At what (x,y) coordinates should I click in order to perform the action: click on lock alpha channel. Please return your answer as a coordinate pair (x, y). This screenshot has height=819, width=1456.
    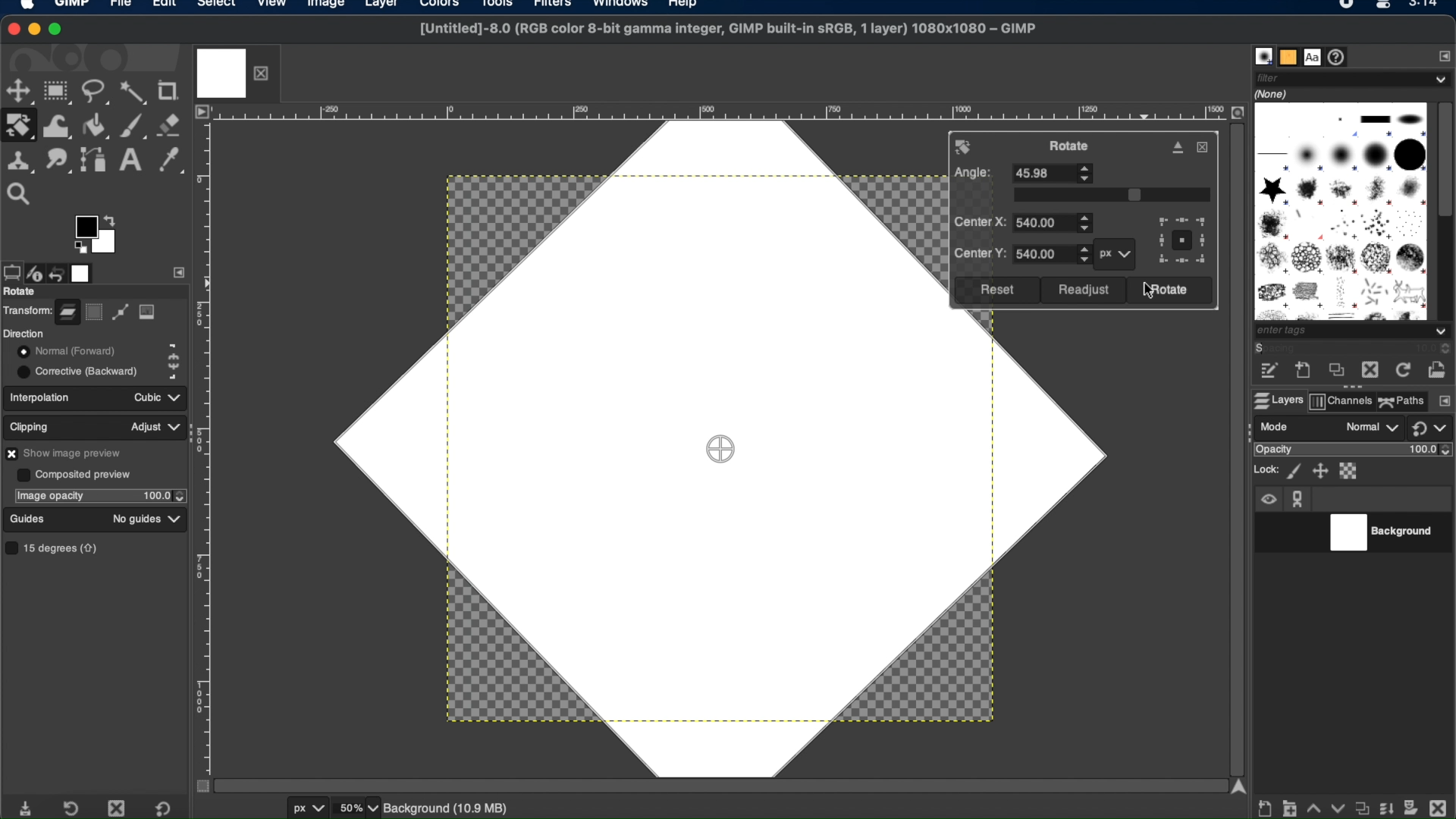
    Looking at the image, I should click on (1351, 471).